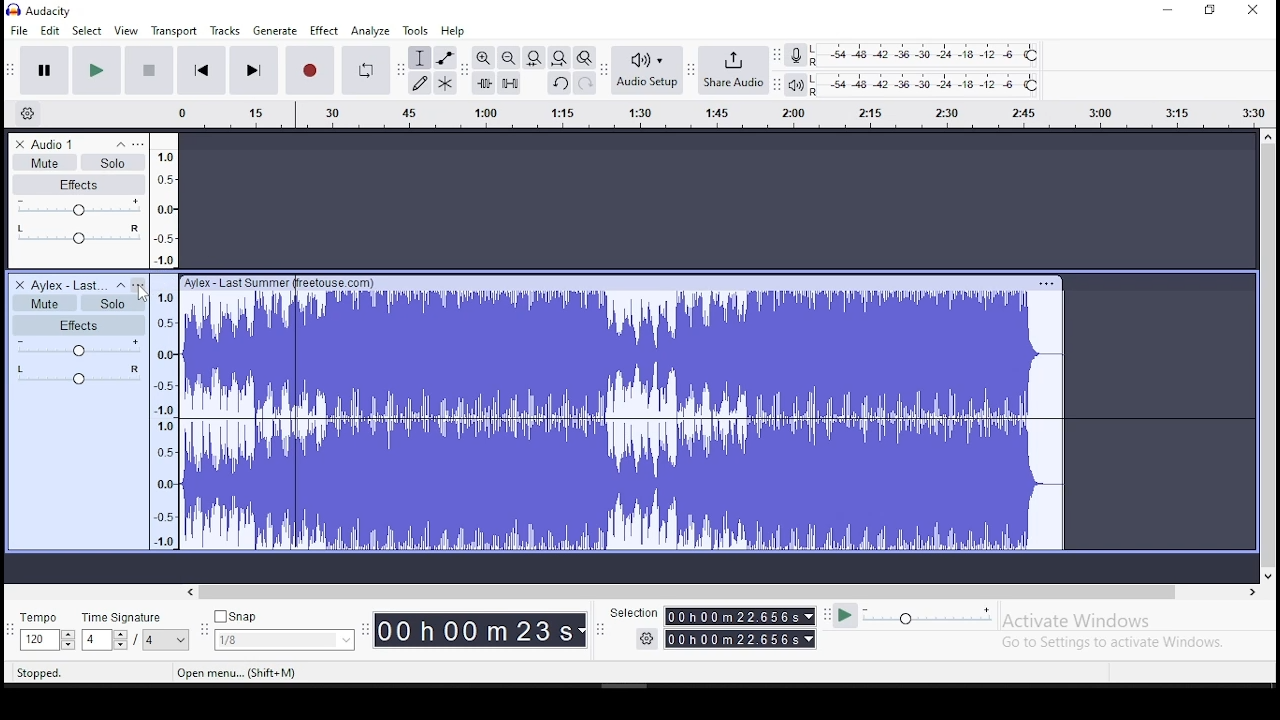 This screenshot has width=1280, height=720. I want to click on edit, so click(49, 31).